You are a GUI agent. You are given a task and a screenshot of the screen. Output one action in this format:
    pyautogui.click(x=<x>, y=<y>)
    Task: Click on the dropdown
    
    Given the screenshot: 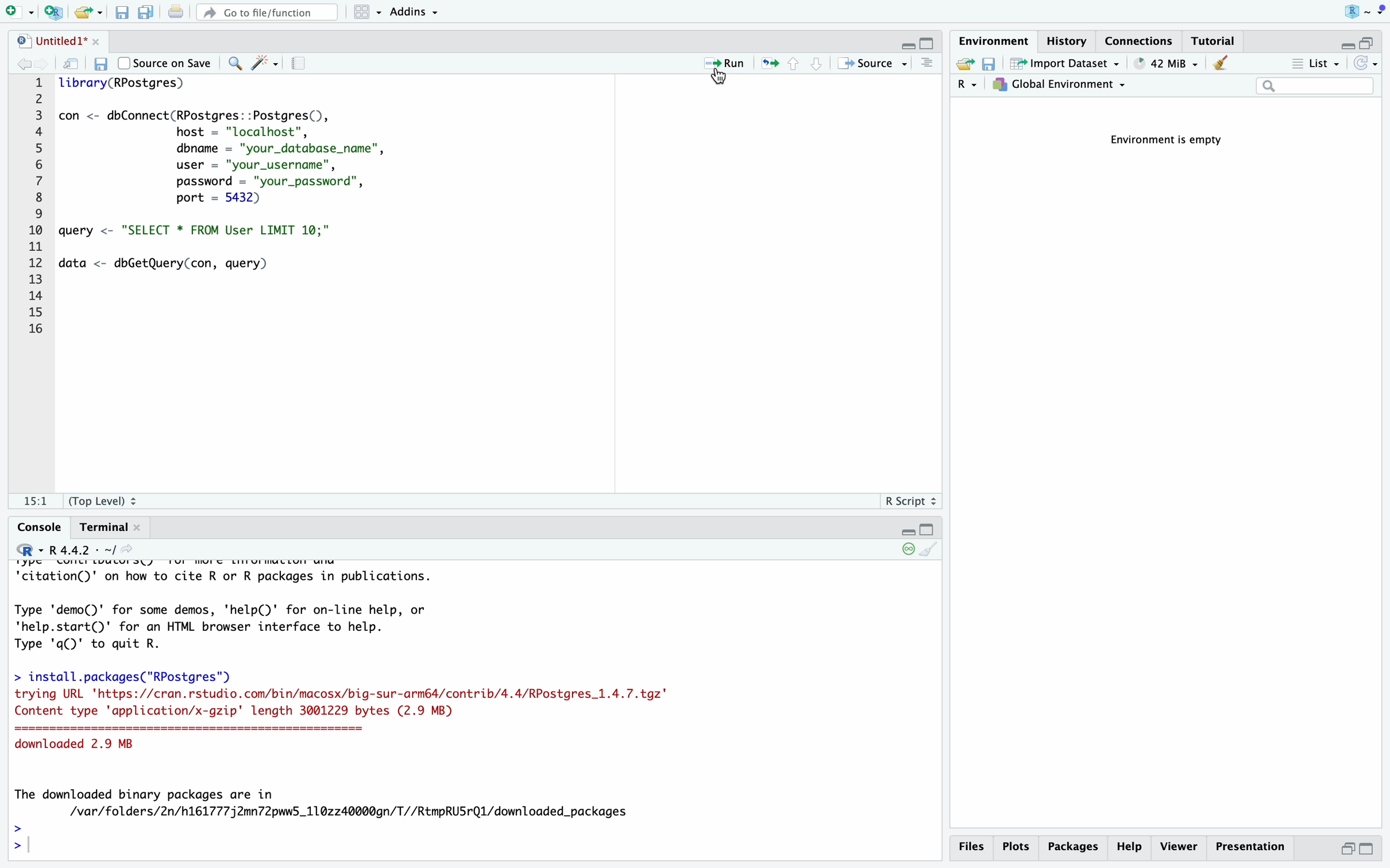 What is the action you would take?
    pyautogui.click(x=1380, y=10)
    